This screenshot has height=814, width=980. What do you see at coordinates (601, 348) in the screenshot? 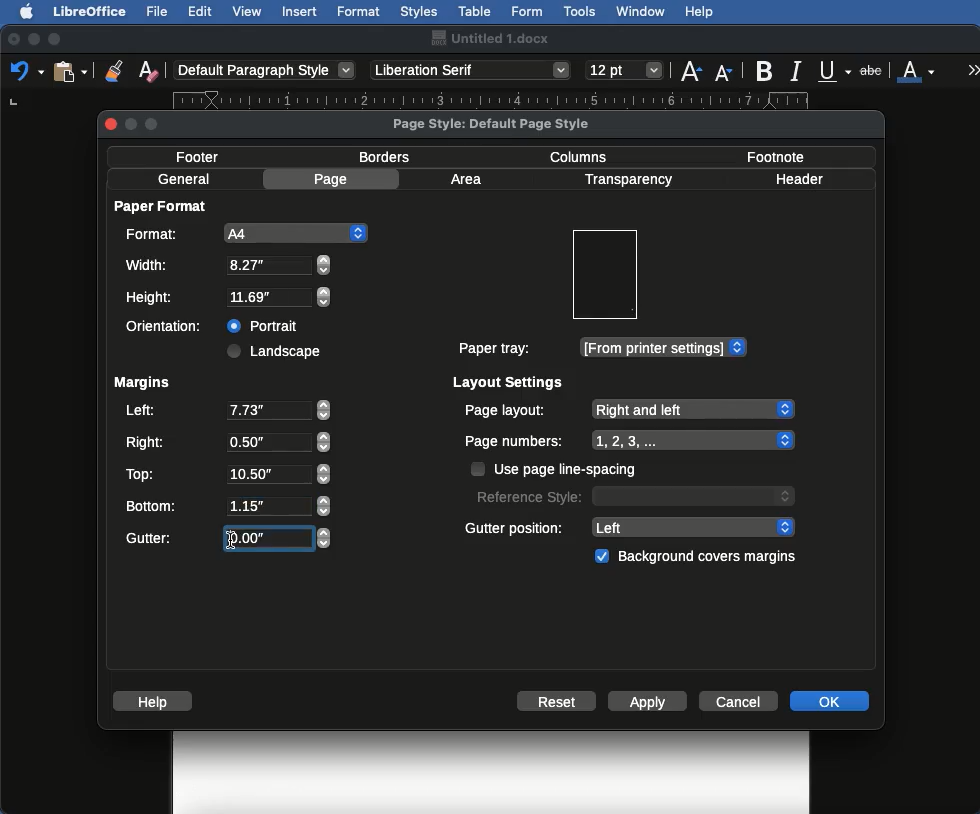
I see `Paper tray` at bounding box center [601, 348].